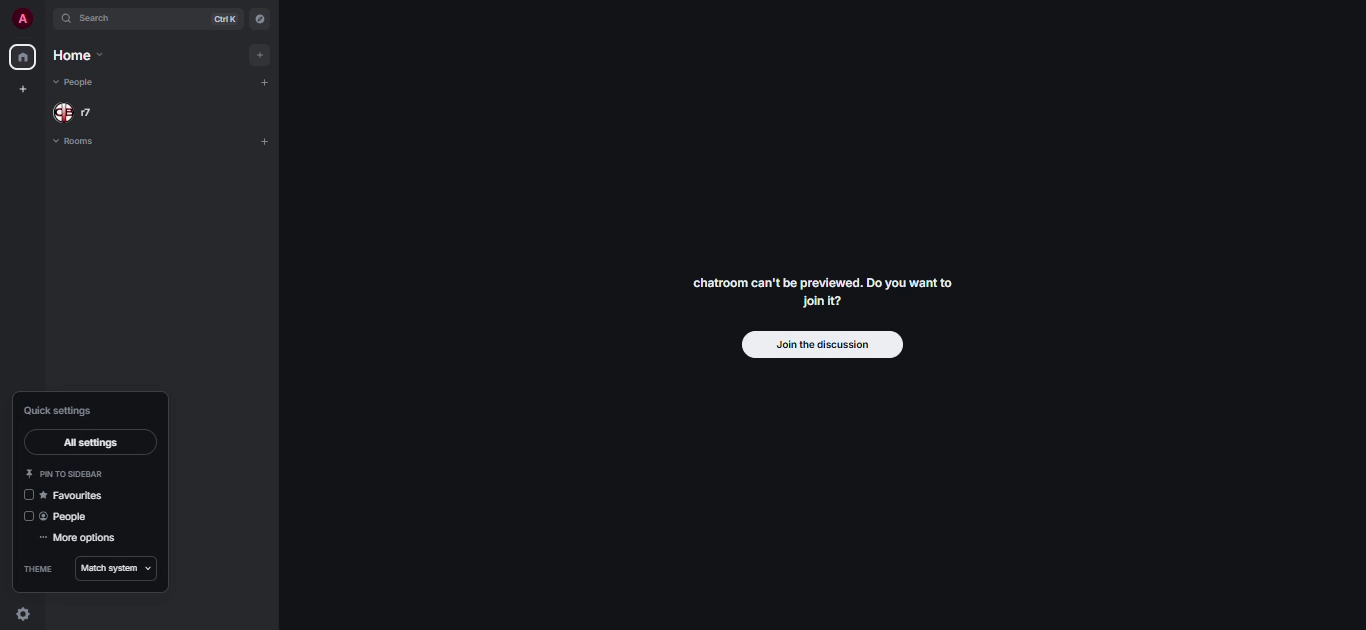  I want to click on theme, so click(37, 569).